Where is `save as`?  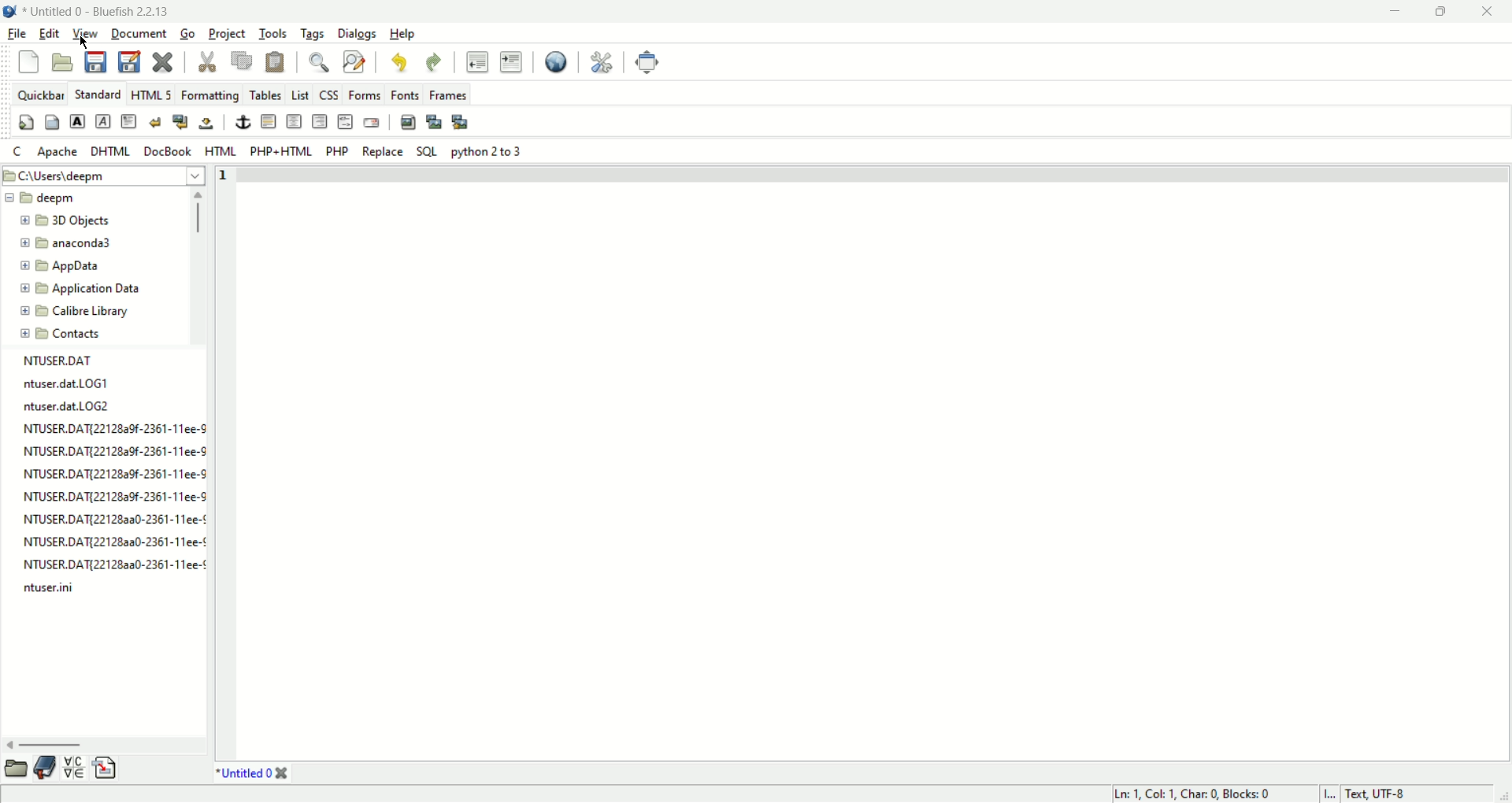 save as is located at coordinates (128, 62).